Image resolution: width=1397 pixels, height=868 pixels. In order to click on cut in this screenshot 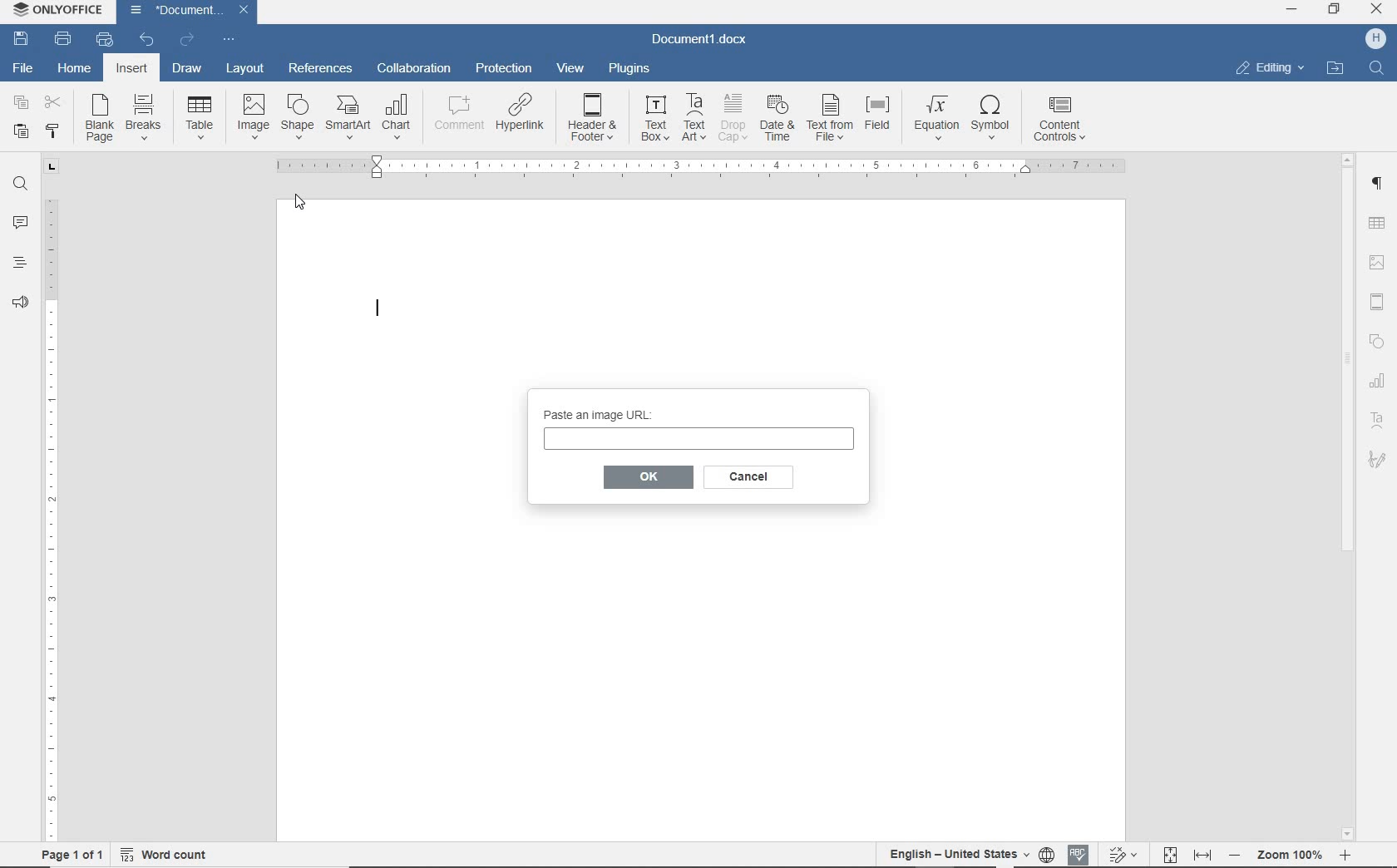, I will do `click(53, 101)`.